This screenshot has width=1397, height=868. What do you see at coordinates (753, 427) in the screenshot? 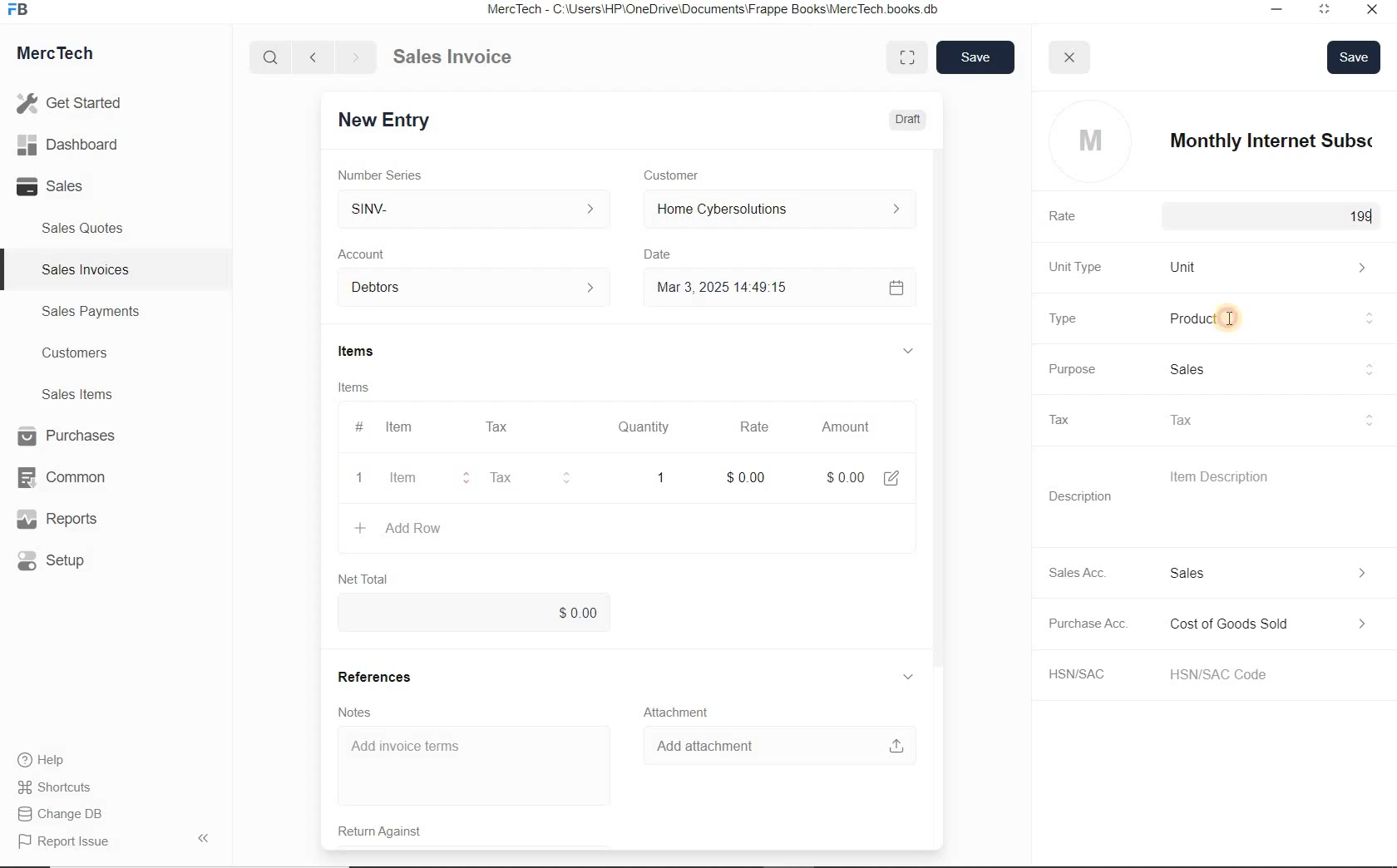
I see `Rate` at bounding box center [753, 427].